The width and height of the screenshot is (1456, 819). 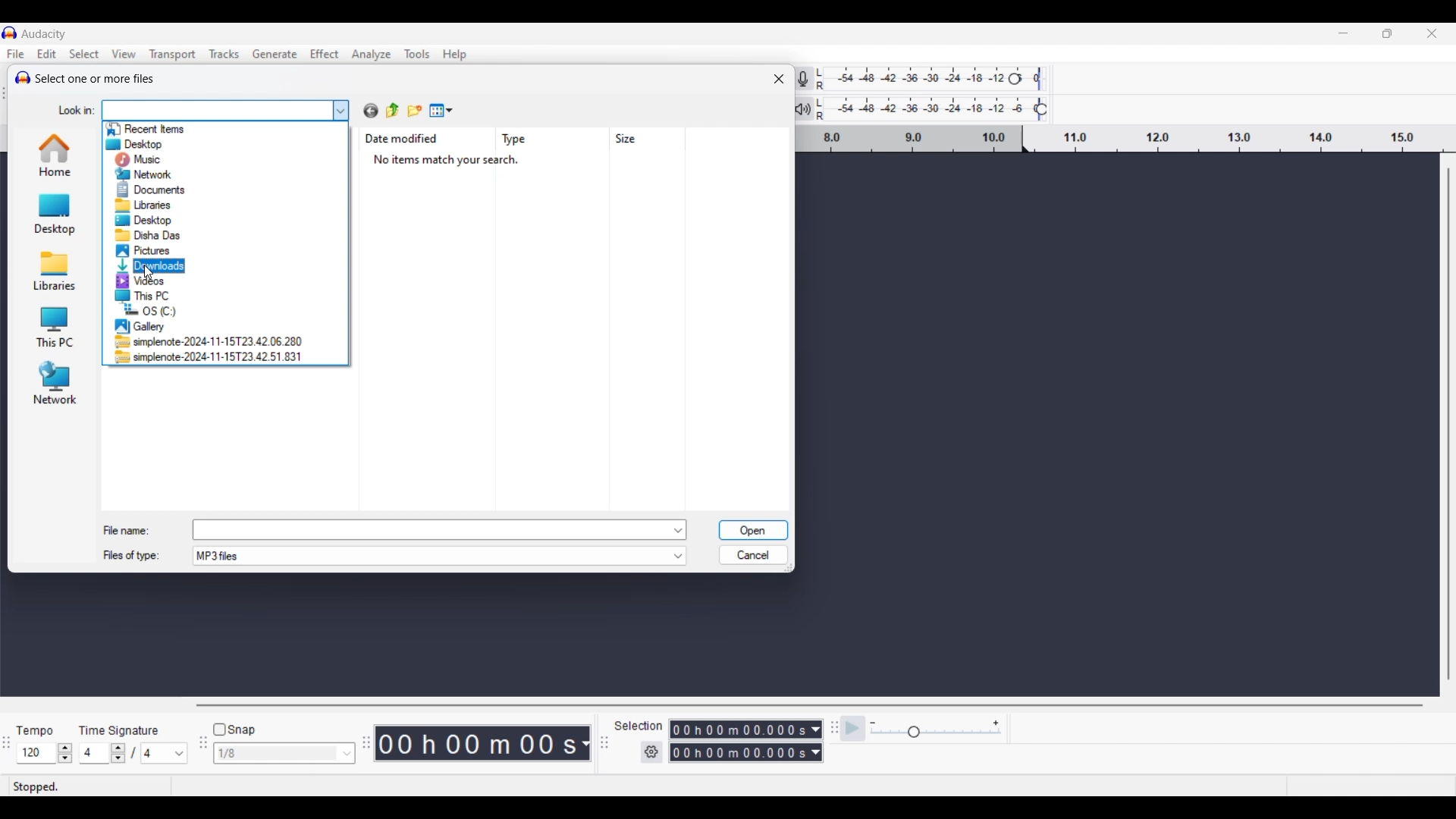 What do you see at coordinates (156, 234) in the screenshot?
I see `Desha Das` at bounding box center [156, 234].